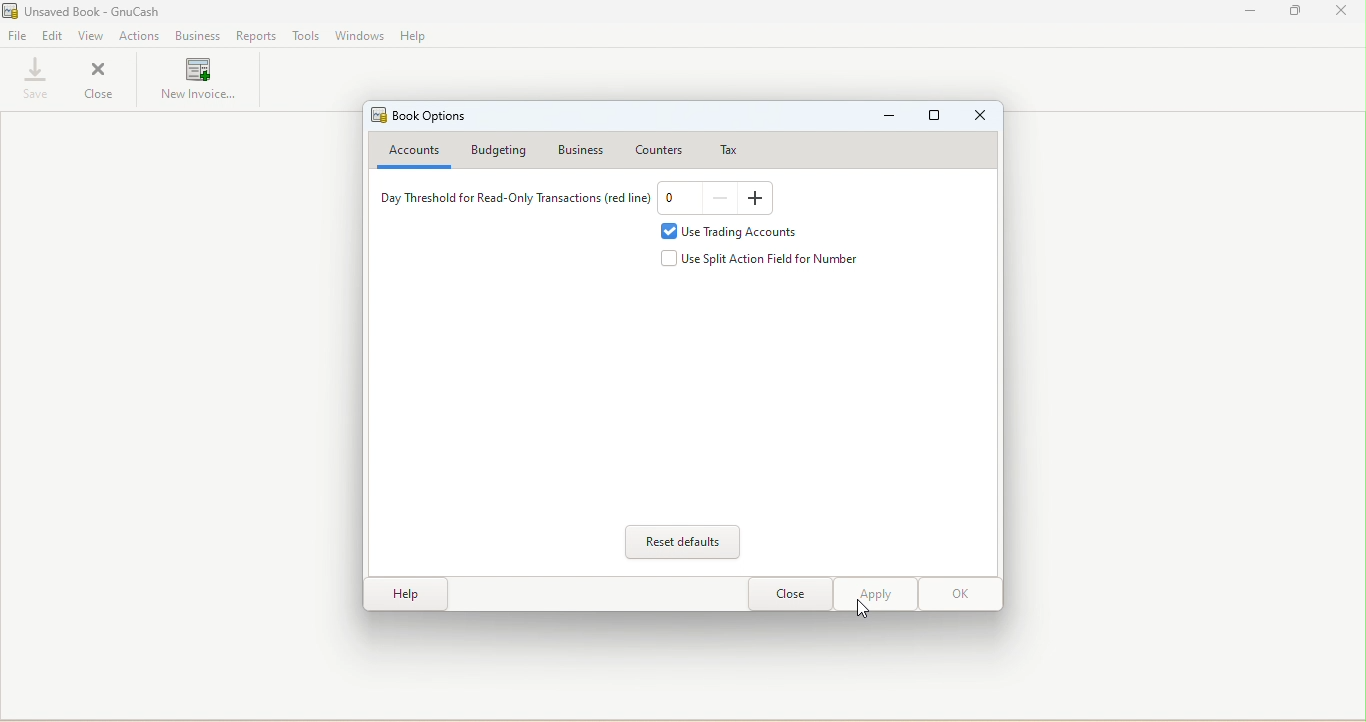 Image resolution: width=1366 pixels, height=722 pixels. What do you see at coordinates (982, 117) in the screenshot?
I see `Close` at bounding box center [982, 117].